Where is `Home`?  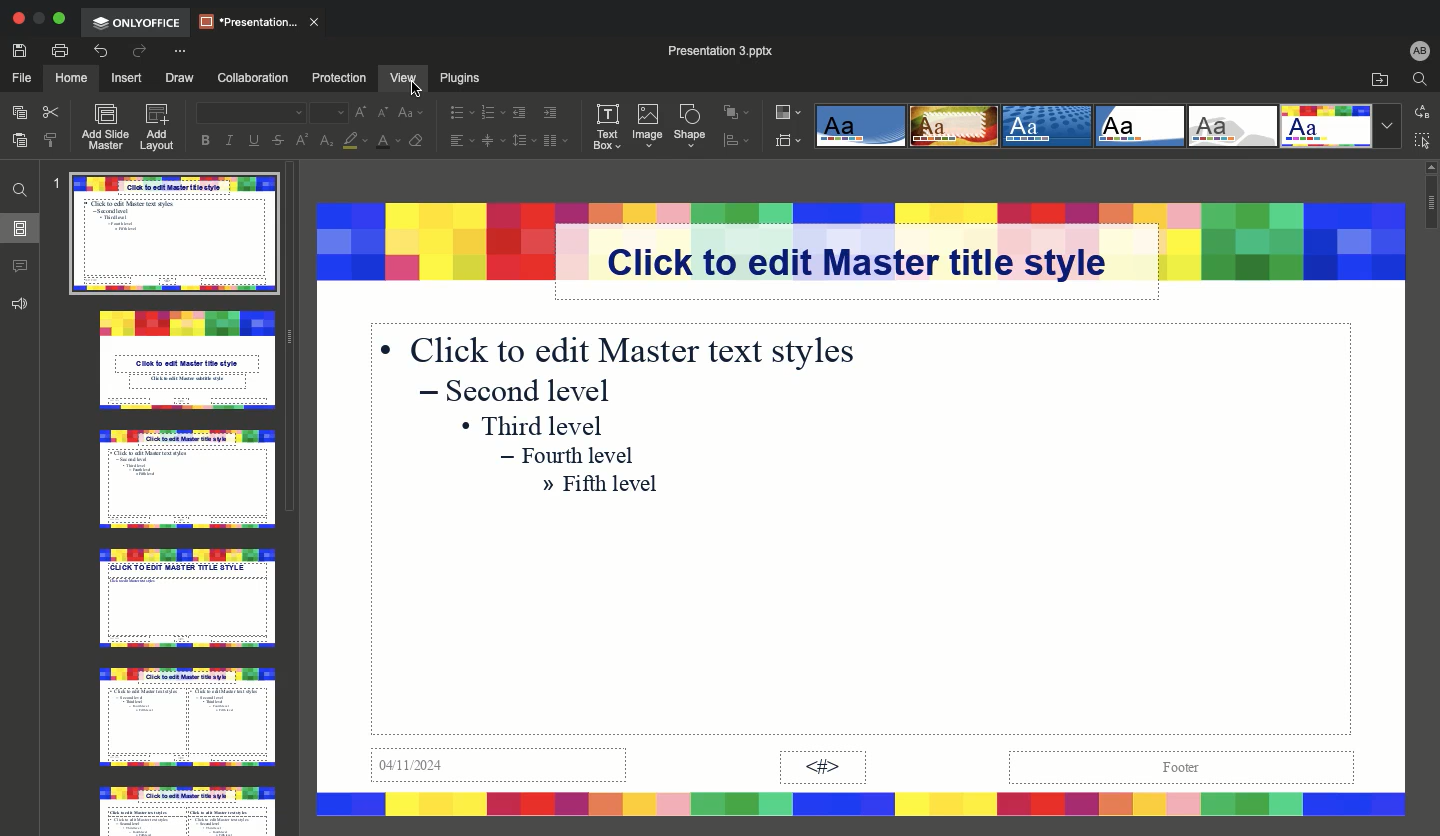
Home is located at coordinates (69, 78).